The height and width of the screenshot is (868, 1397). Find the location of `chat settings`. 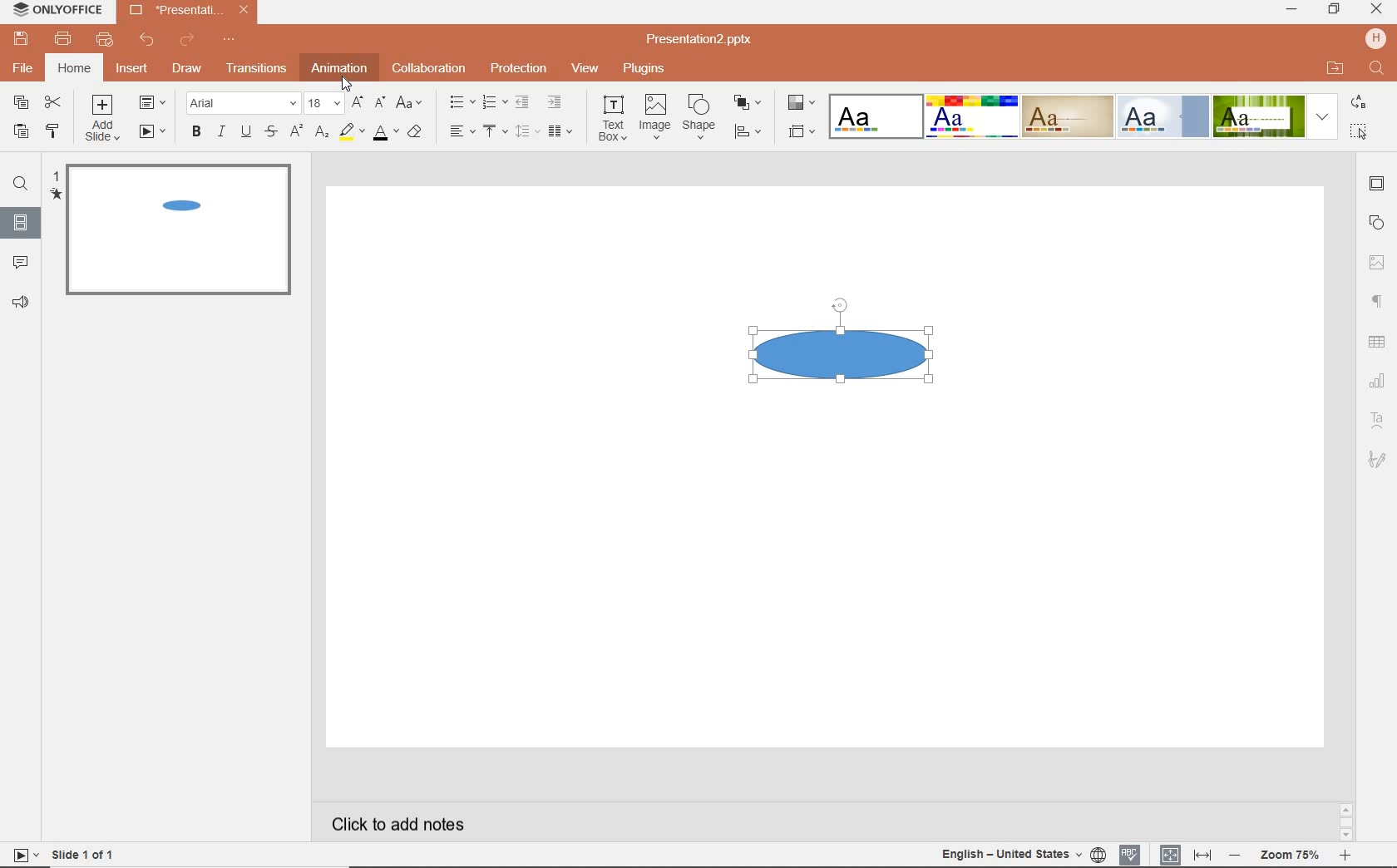

chat settings is located at coordinates (1378, 379).